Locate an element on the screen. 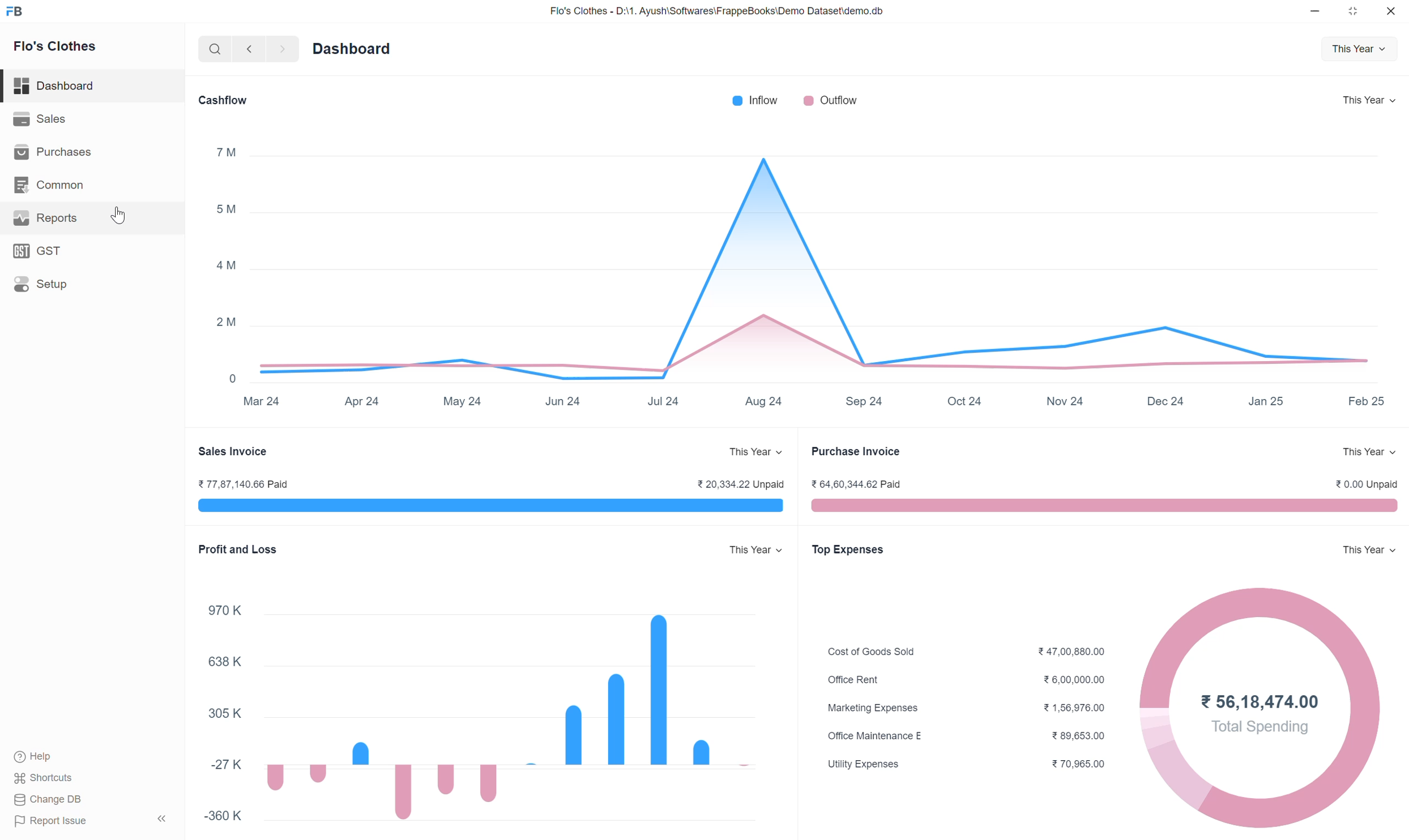  305 k is located at coordinates (224, 714).